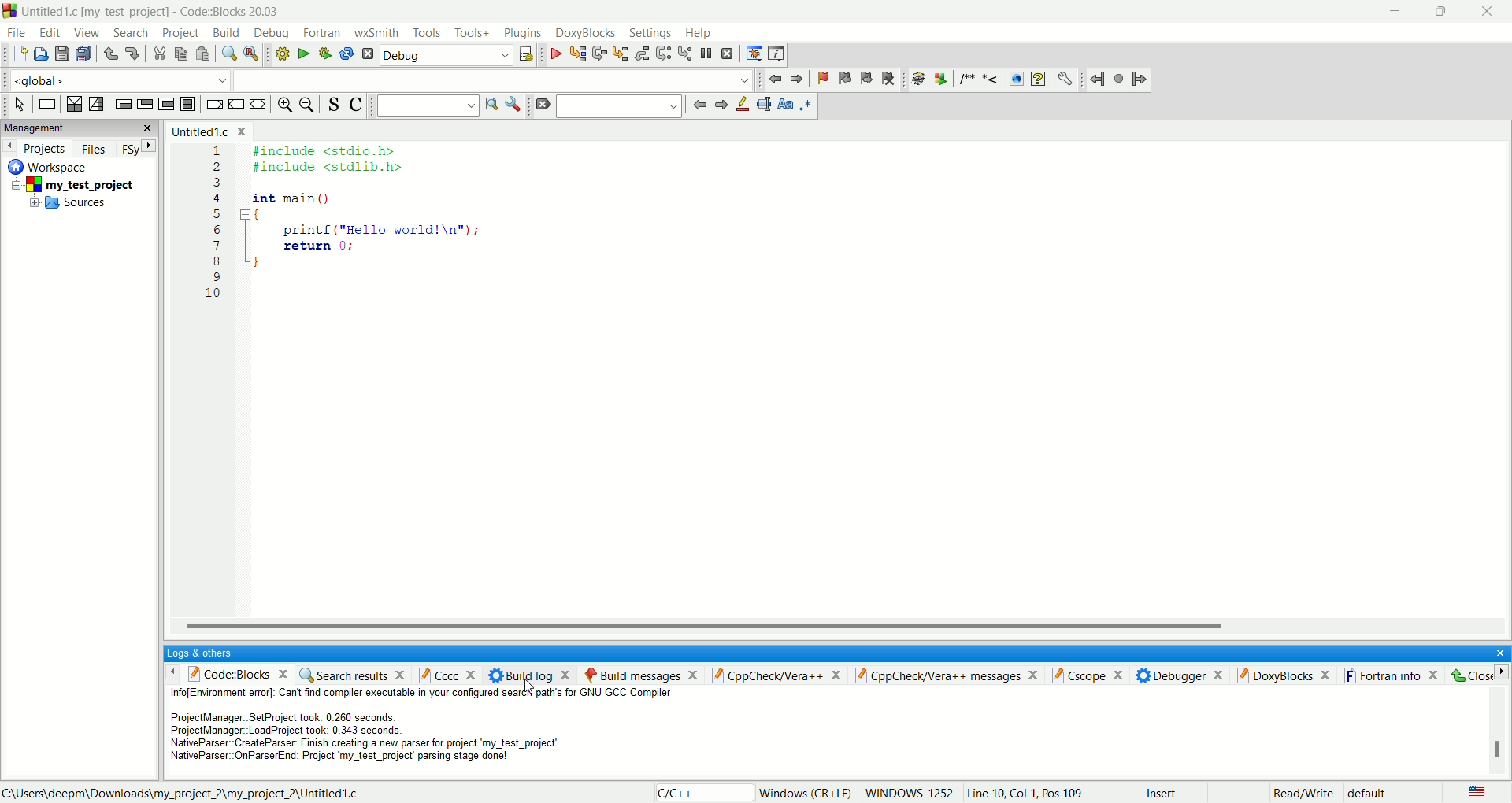  Describe the element at coordinates (542, 105) in the screenshot. I see `clear` at that location.